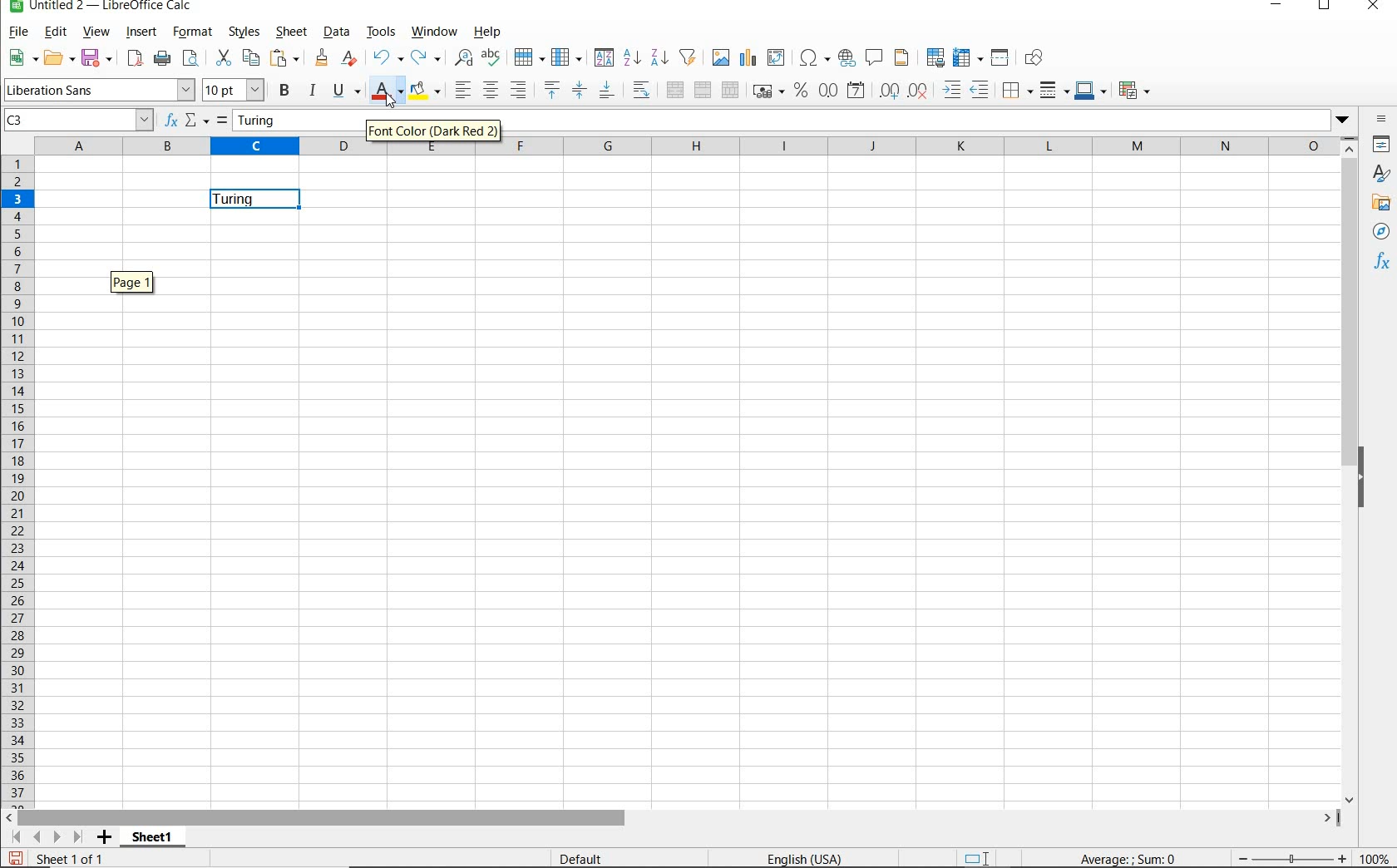 The width and height of the screenshot is (1397, 868). Describe the element at coordinates (632, 59) in the screenshot. I see `SORT ASCENDING` at that location.